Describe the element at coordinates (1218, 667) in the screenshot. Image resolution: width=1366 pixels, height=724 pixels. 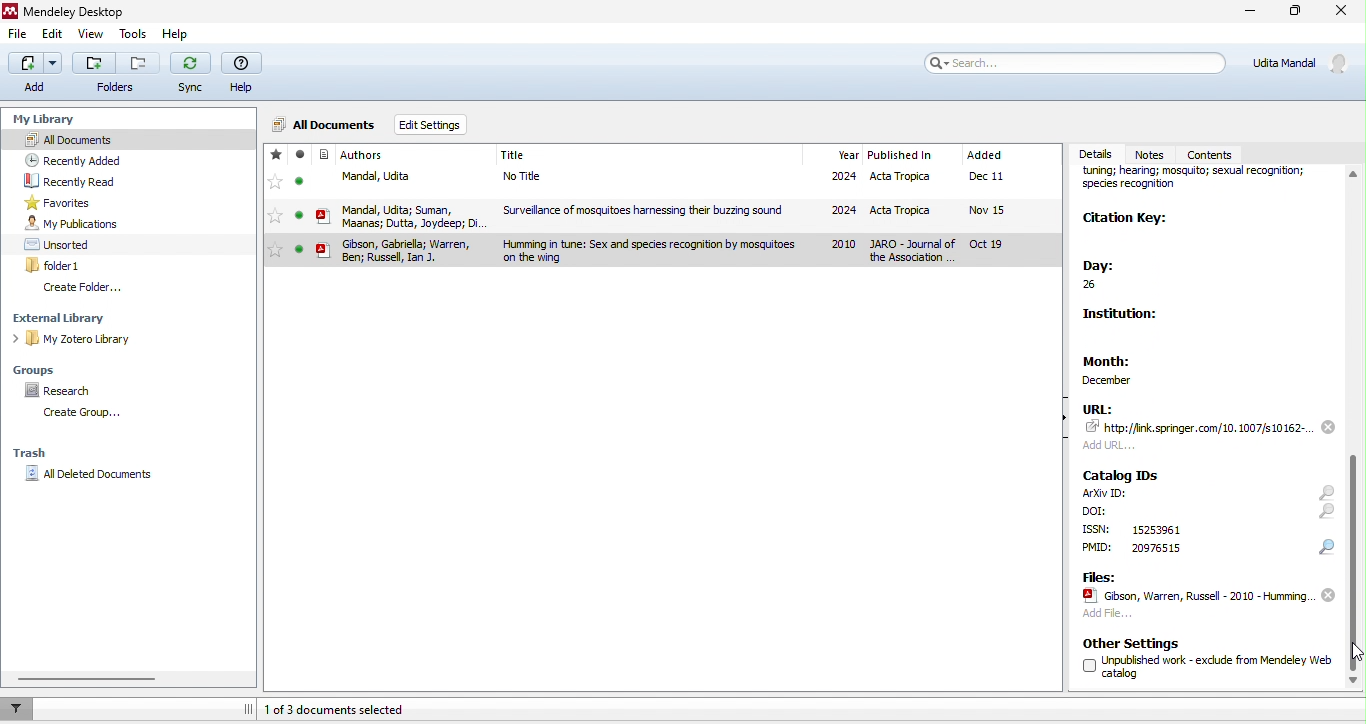
I see `text` at that location.